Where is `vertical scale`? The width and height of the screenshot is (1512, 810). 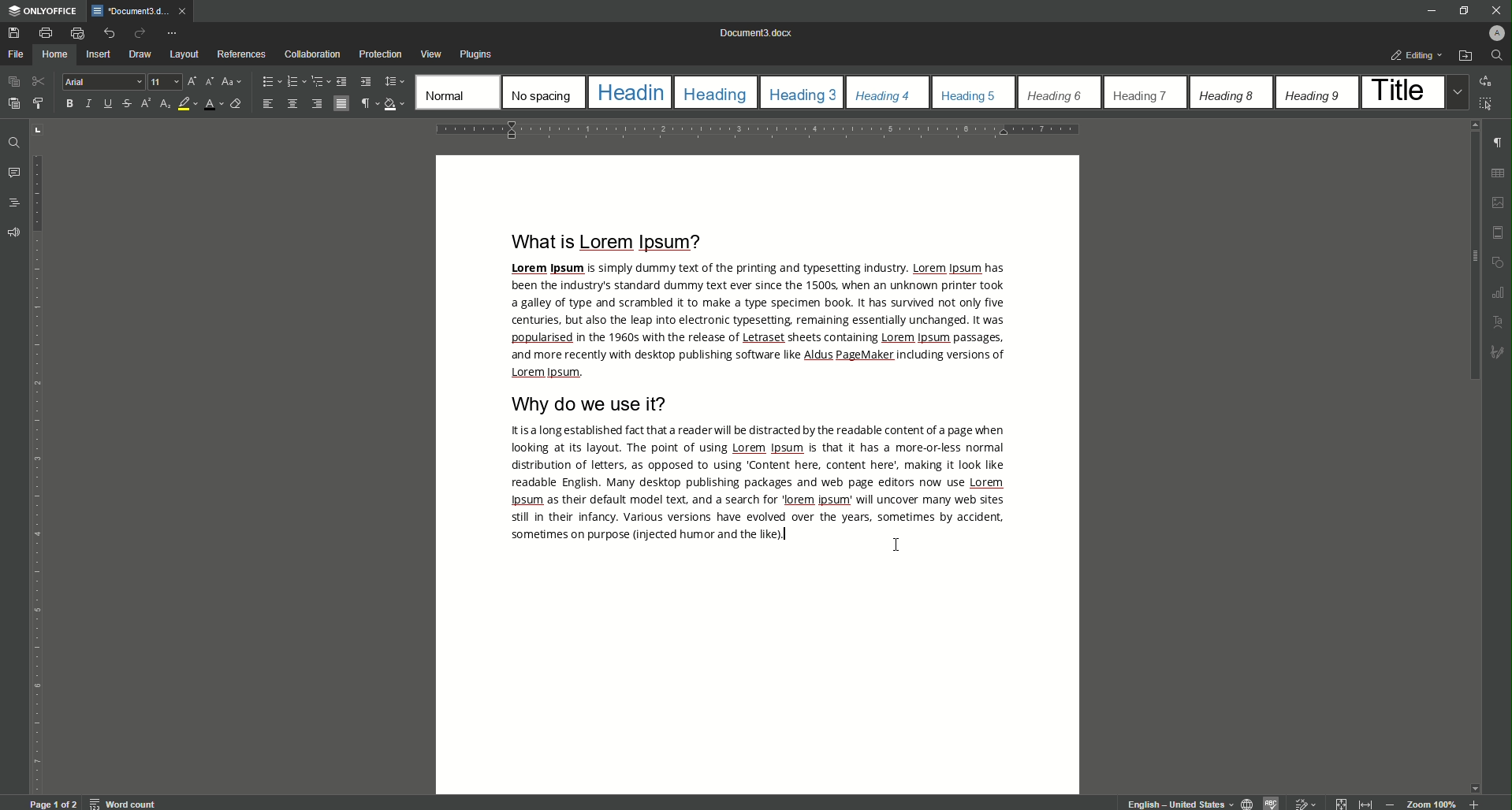
vertical scale is located at coordinates (40, 526).